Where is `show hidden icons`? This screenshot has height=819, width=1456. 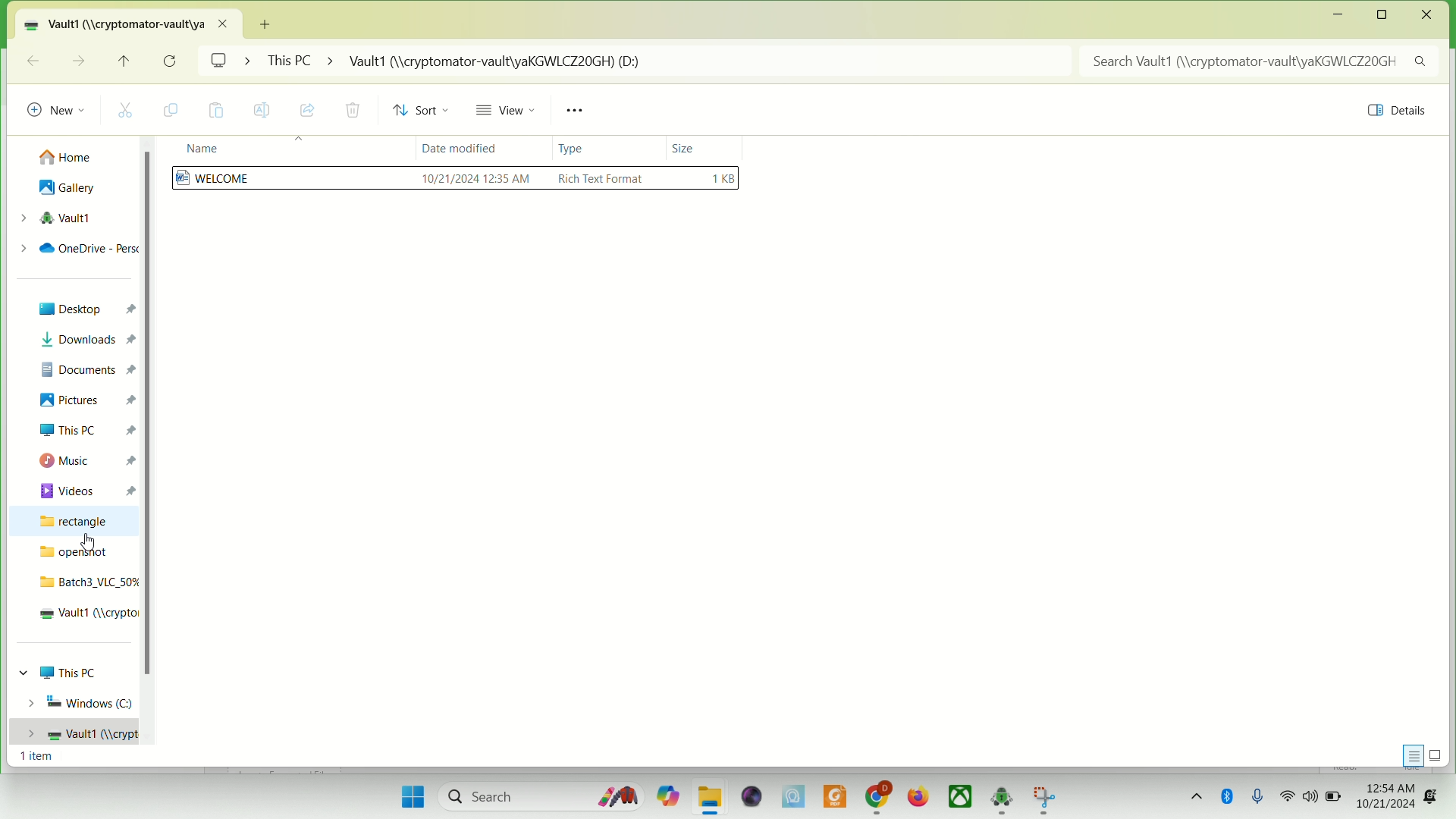 show hidden icons is located at coordinates (1193, 792).